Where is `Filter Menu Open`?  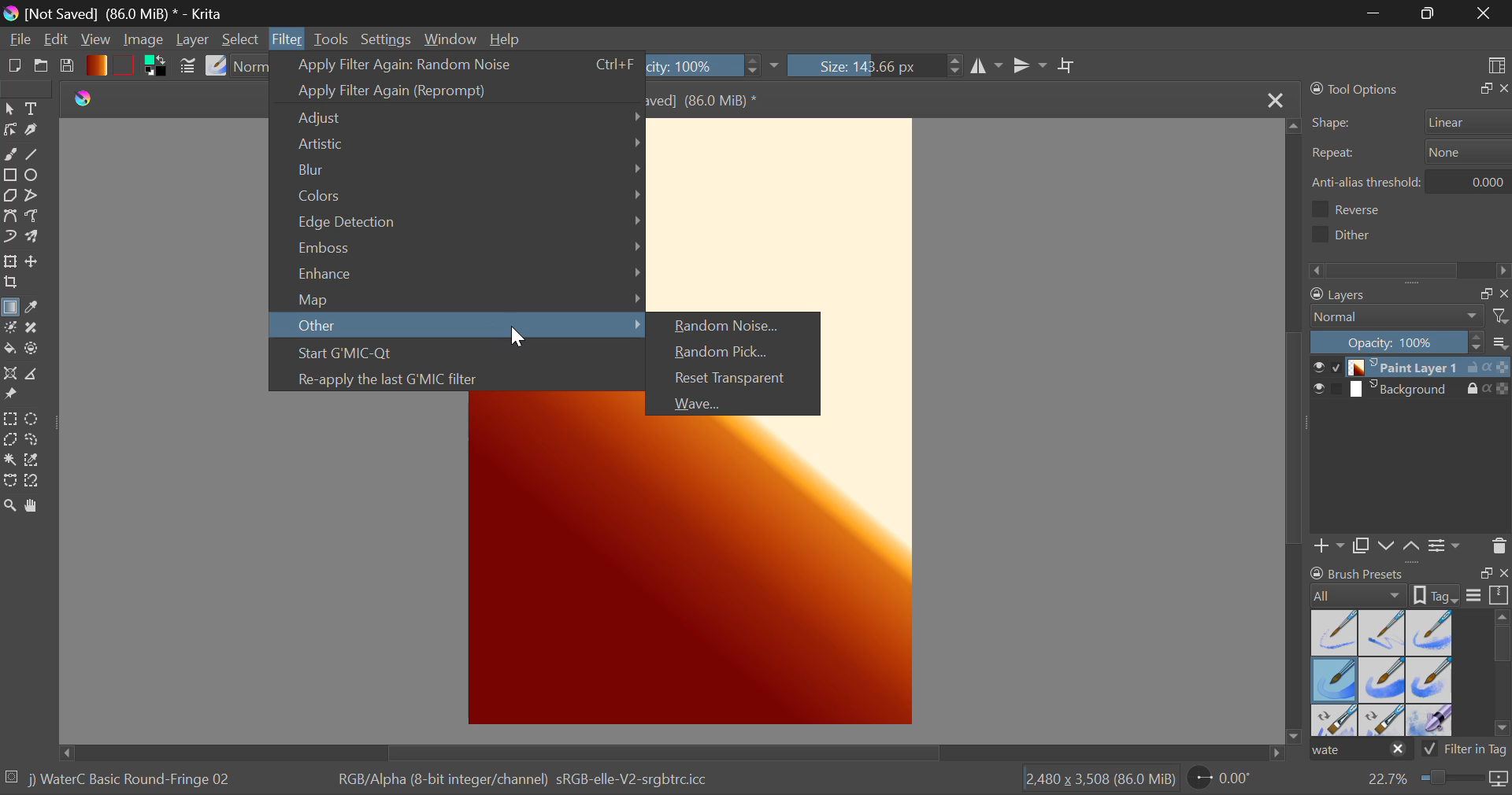 Filter Menu Open is located at coordinates (284, 38).